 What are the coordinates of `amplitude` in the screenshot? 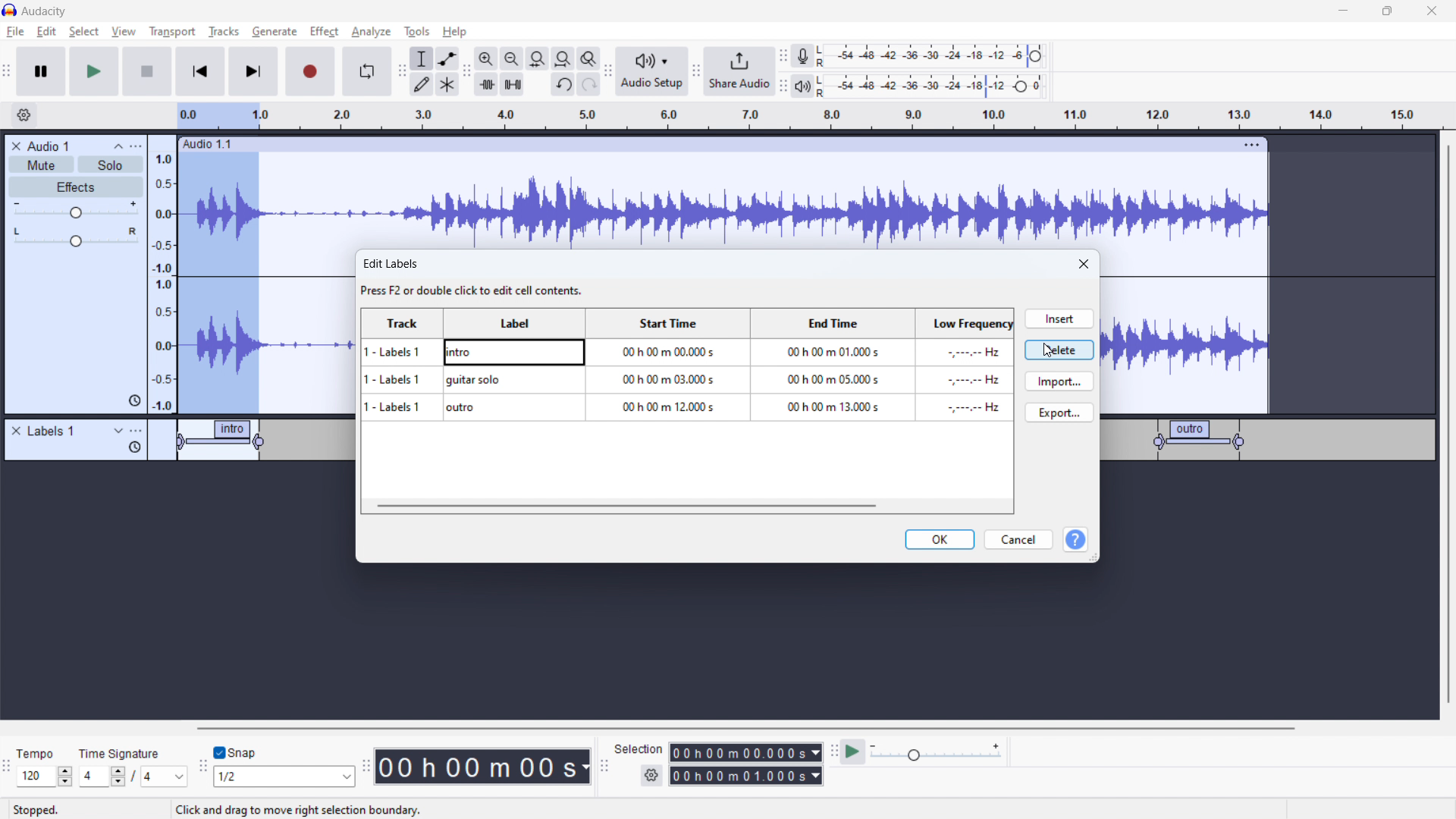 It's located at (163, 274).